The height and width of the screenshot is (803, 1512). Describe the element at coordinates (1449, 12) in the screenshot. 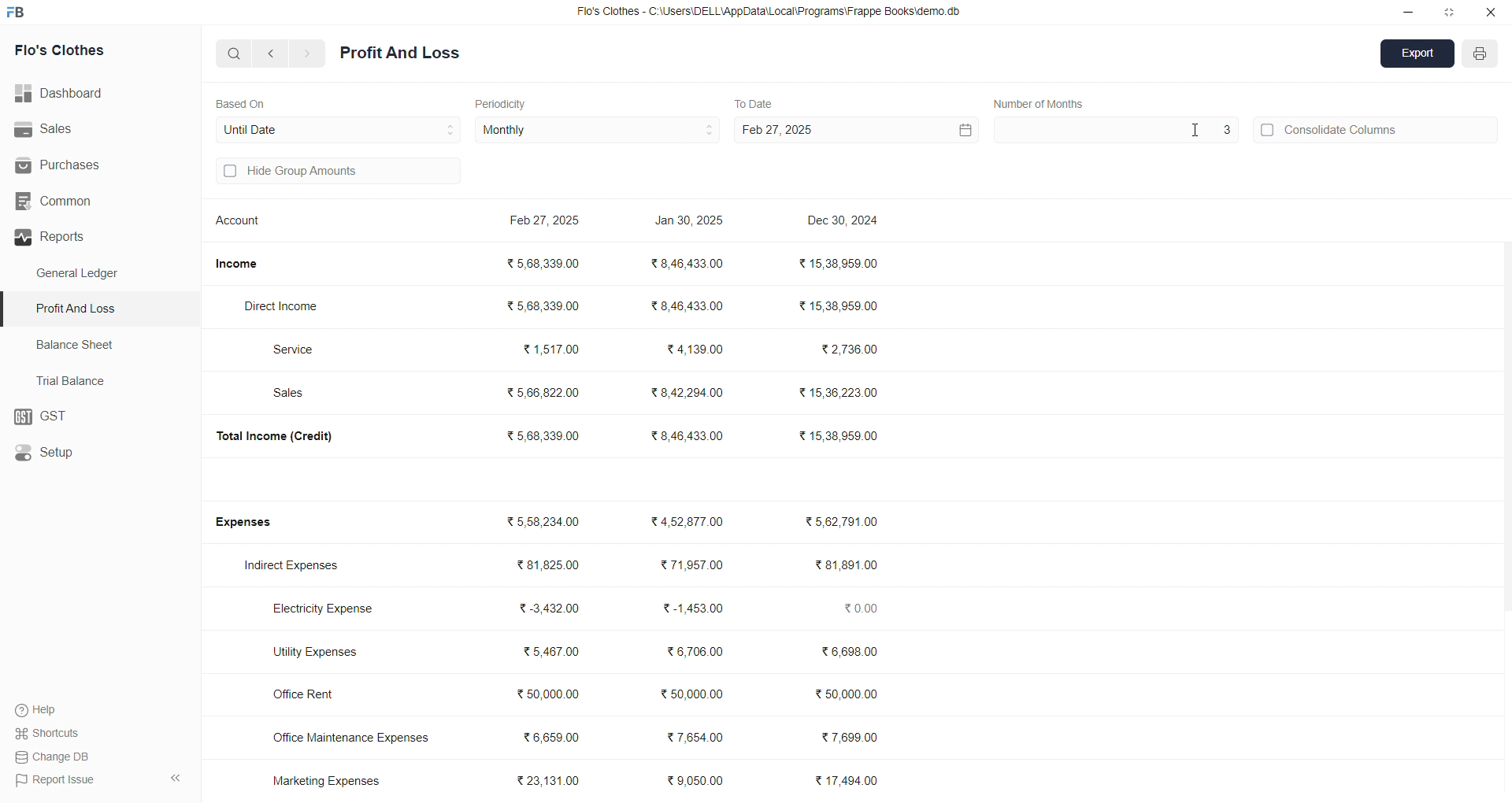

I see `resize` at that location.